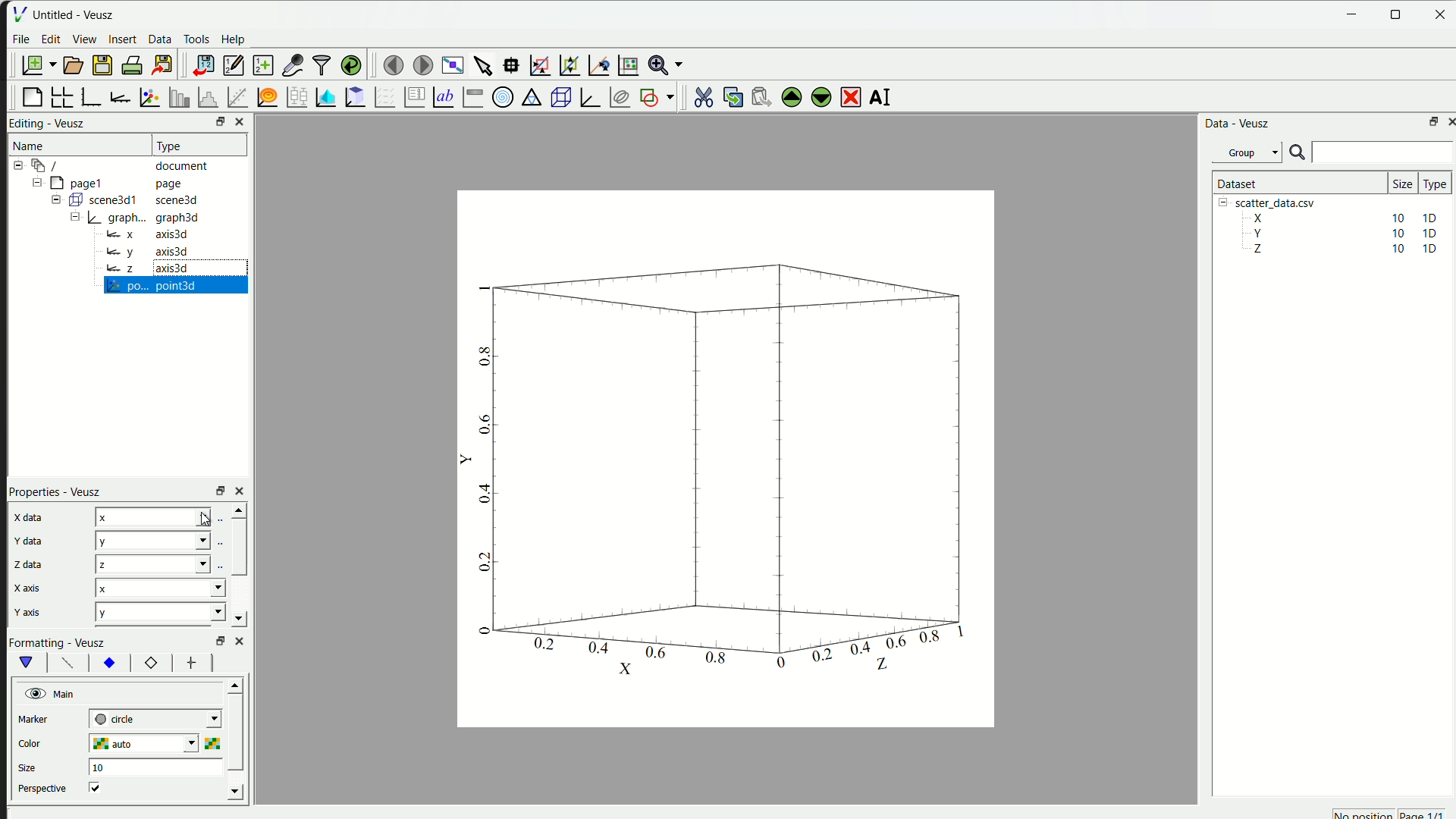 Image resolution: width=1456 pixels, height=819 pixels. What do you see at coordinates (510, 64) in the screenshot?
I see `read datapoint on graph` at bounding box center [510, 64].